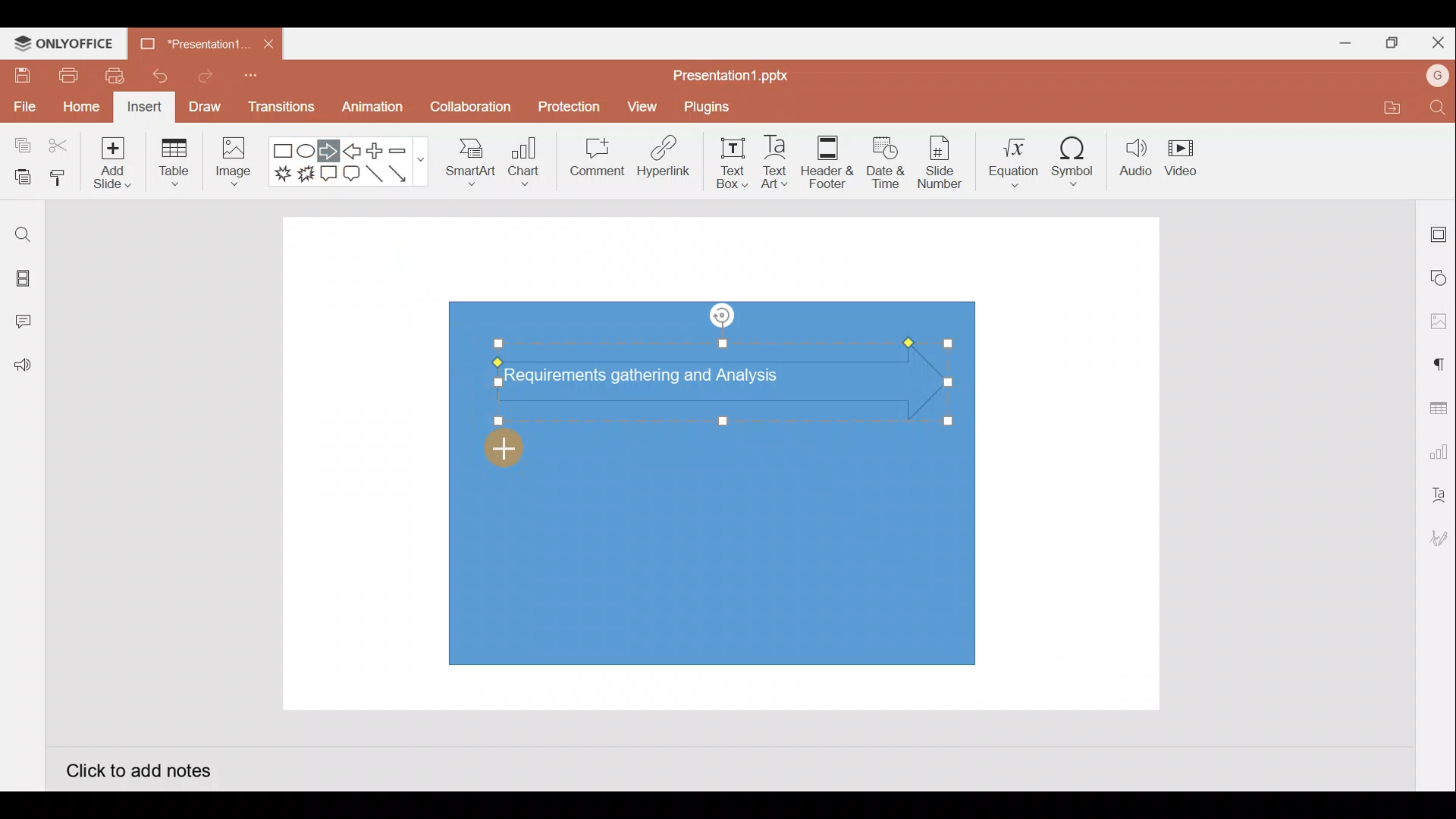 The height and width of the screenshot is (819, 1456). What do you see at coordinates (781, 158) in the screenshot?
I see `Text Art` at bounding box center [781, 158].